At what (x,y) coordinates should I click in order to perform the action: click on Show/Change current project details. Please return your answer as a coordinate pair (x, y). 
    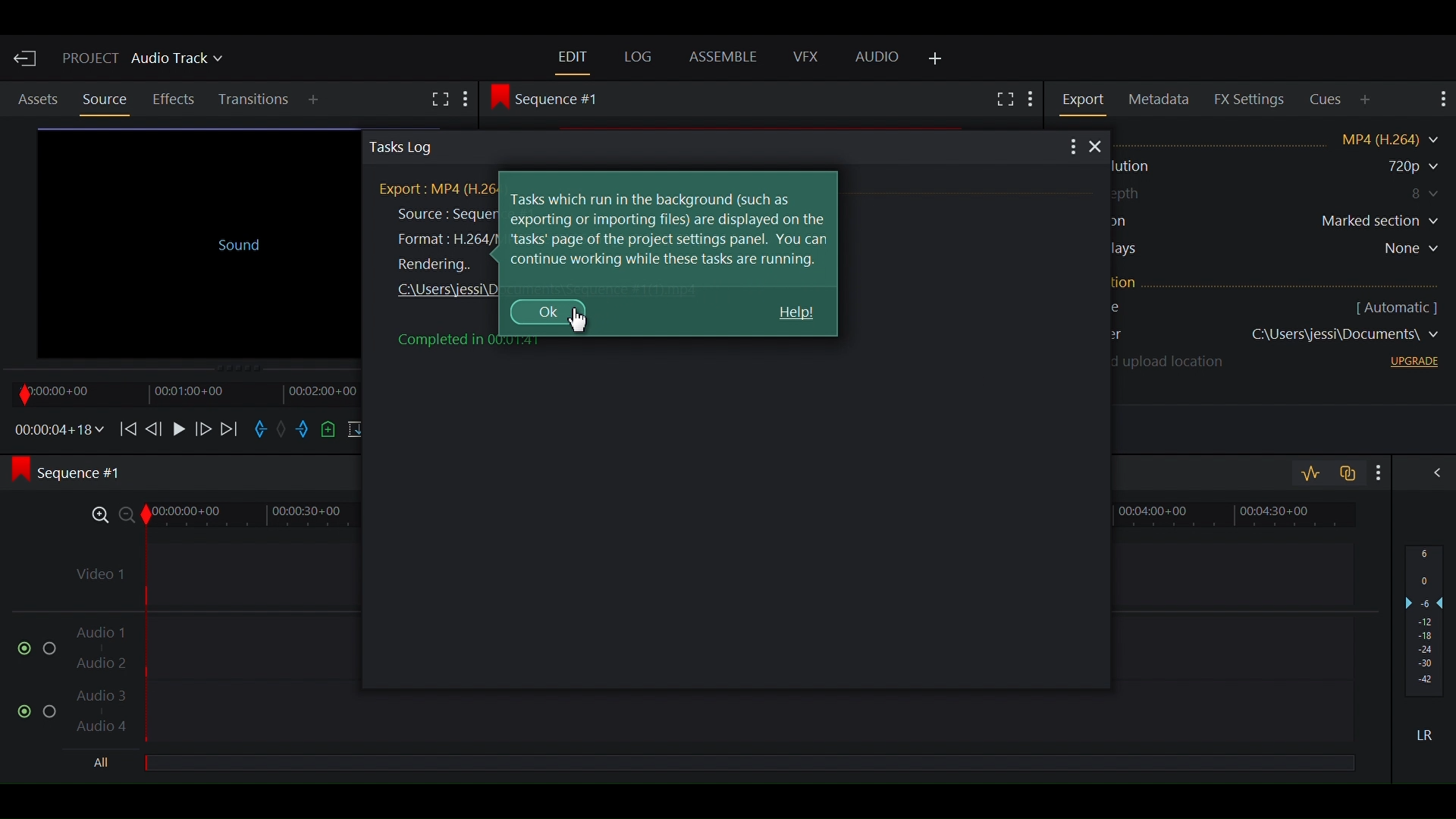
    Looking at the image, I should click on (144, 61).